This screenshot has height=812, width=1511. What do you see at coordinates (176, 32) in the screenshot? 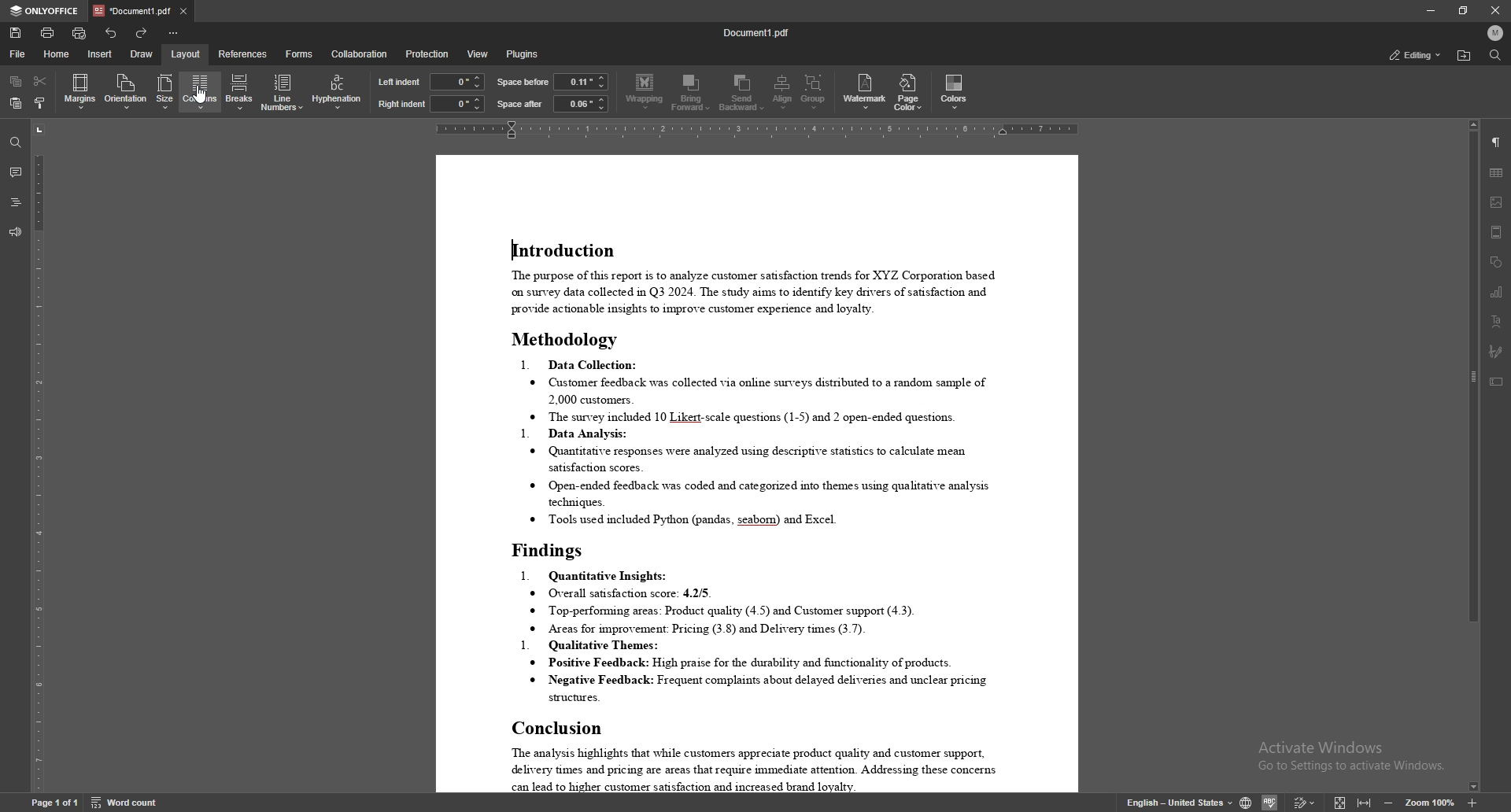
I see `configure toolbar` at bounding box center [176, 32].